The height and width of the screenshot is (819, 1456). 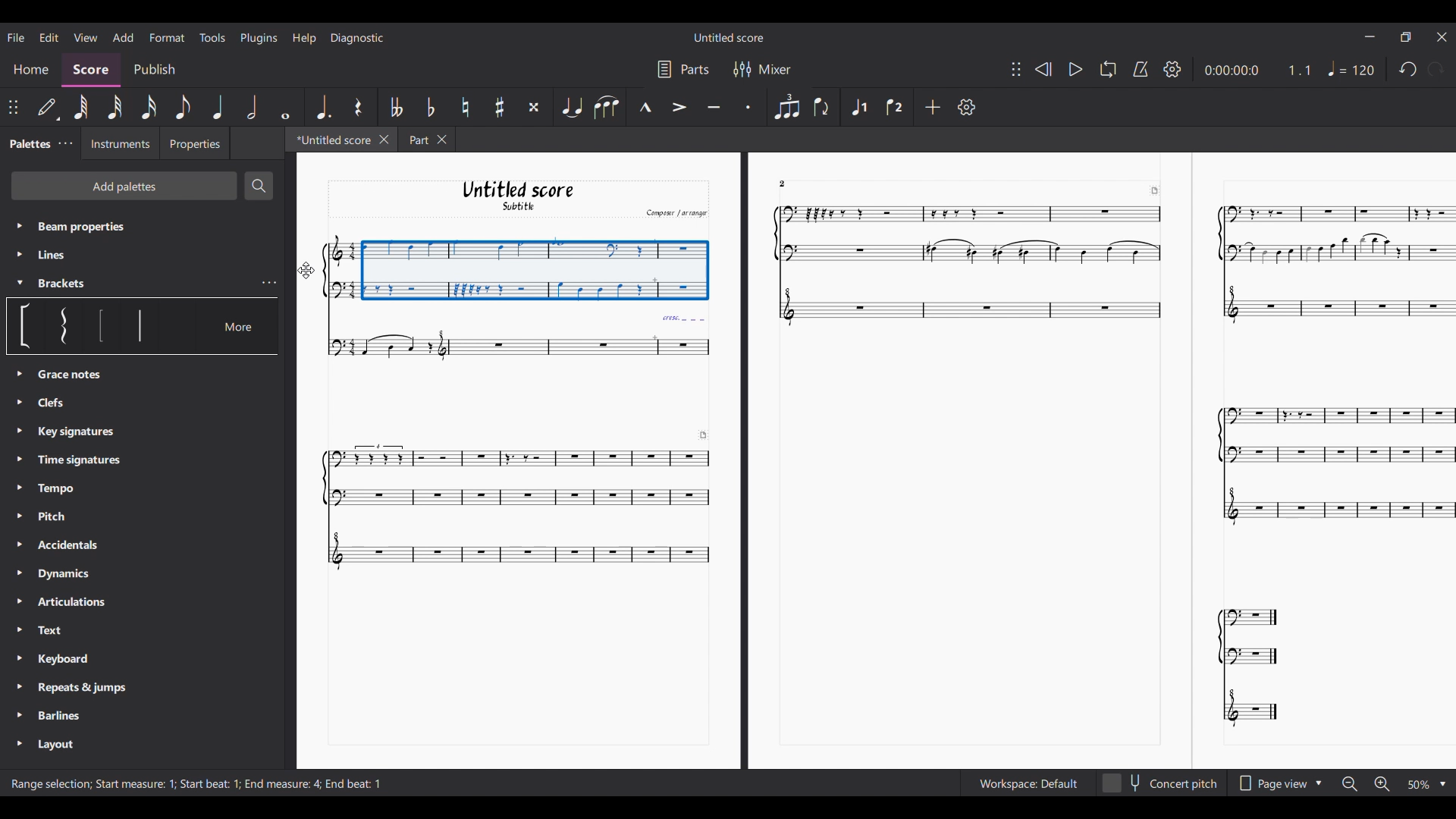 I want to click on Option under bracket section, so click(x=27, y=326).